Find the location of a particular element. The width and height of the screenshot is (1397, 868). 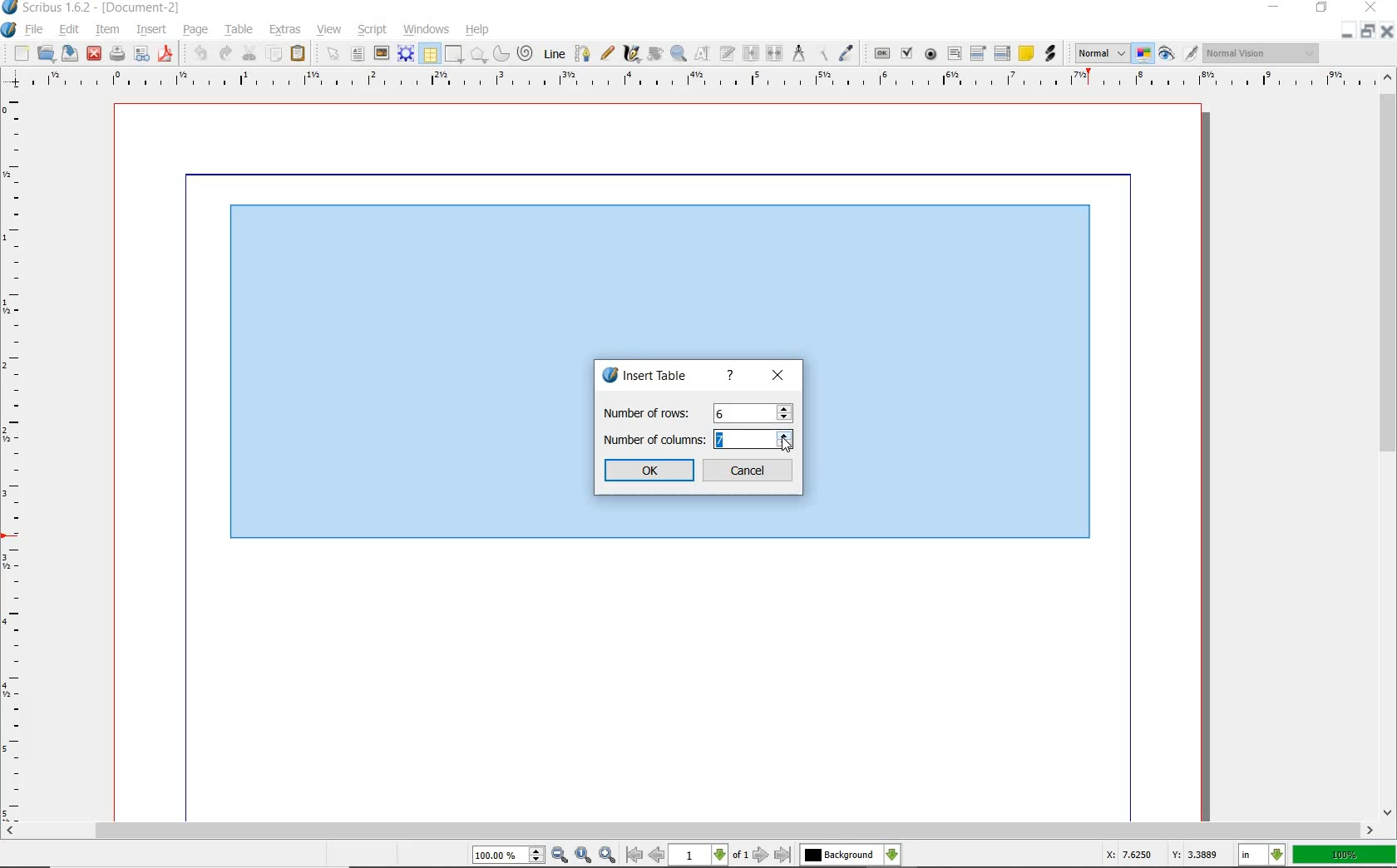

zoom to is located at coordinates (585, 856).